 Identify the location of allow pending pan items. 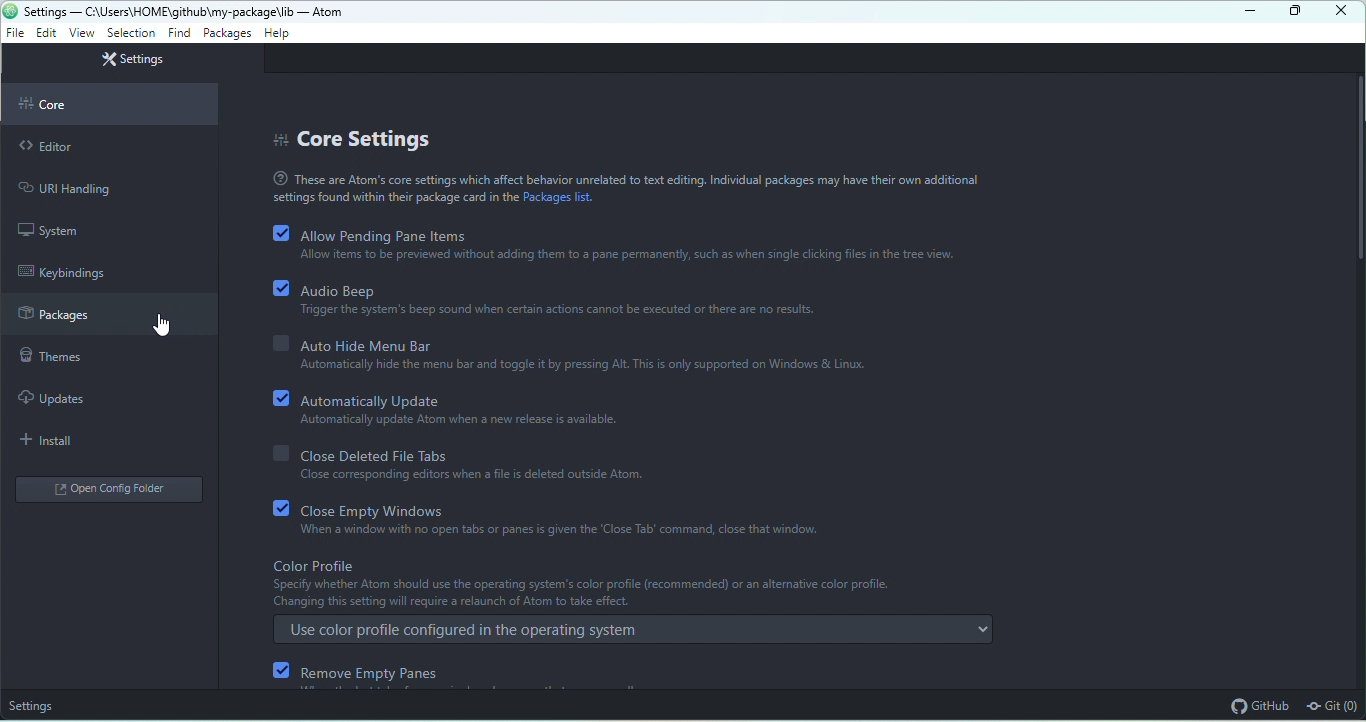
(385, 235).